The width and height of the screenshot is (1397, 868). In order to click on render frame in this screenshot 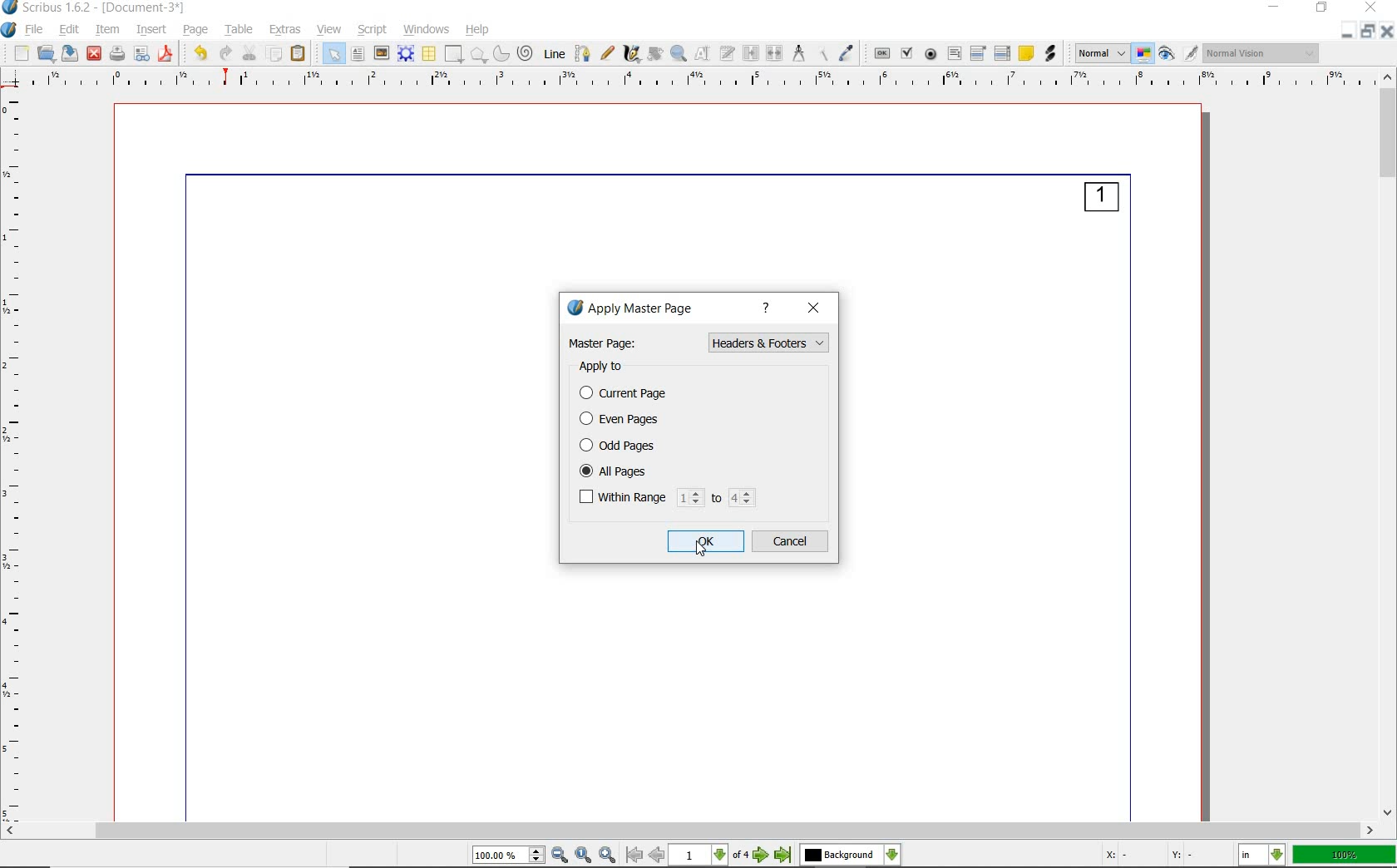, I will do `click(407, 53)`.